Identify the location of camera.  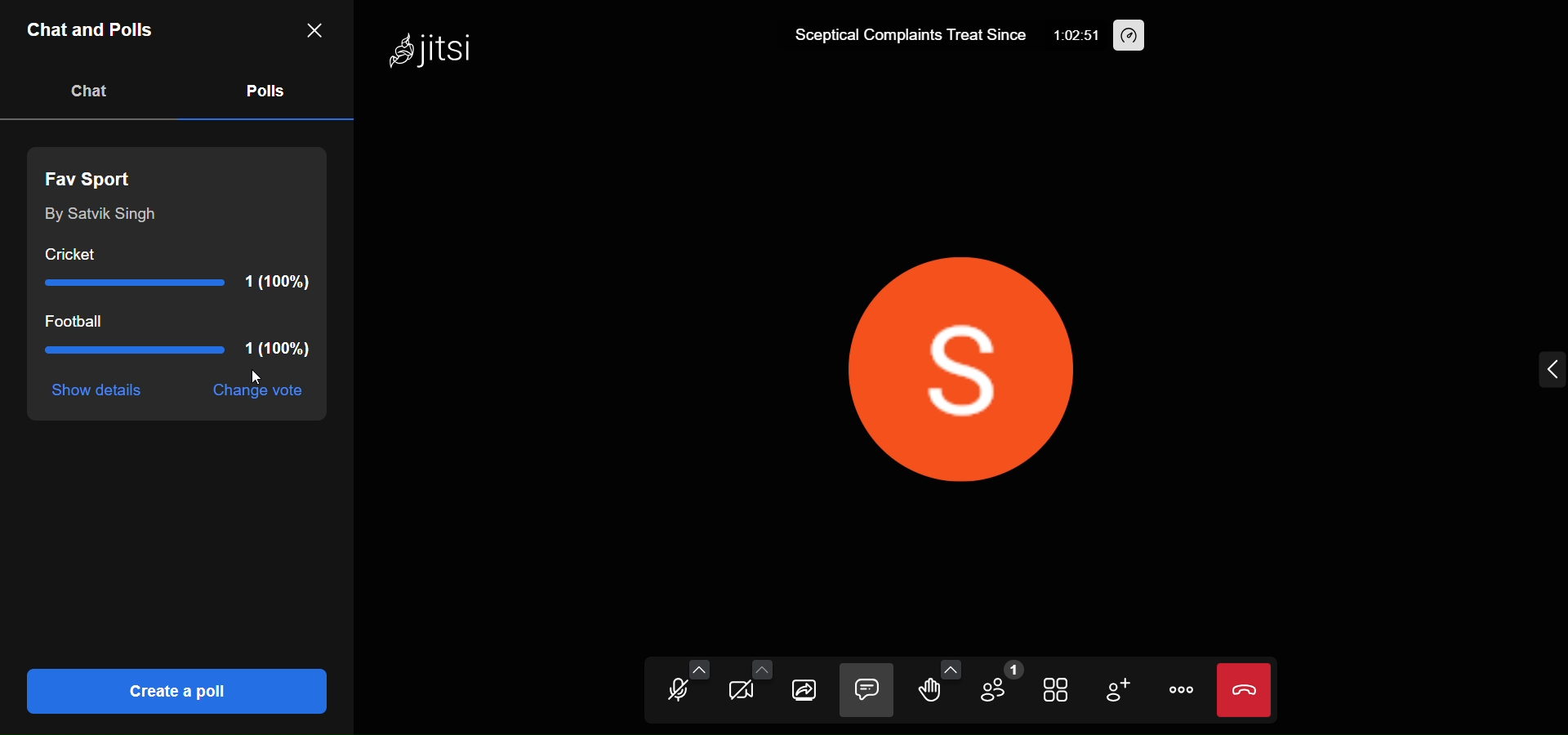
(736, 693).